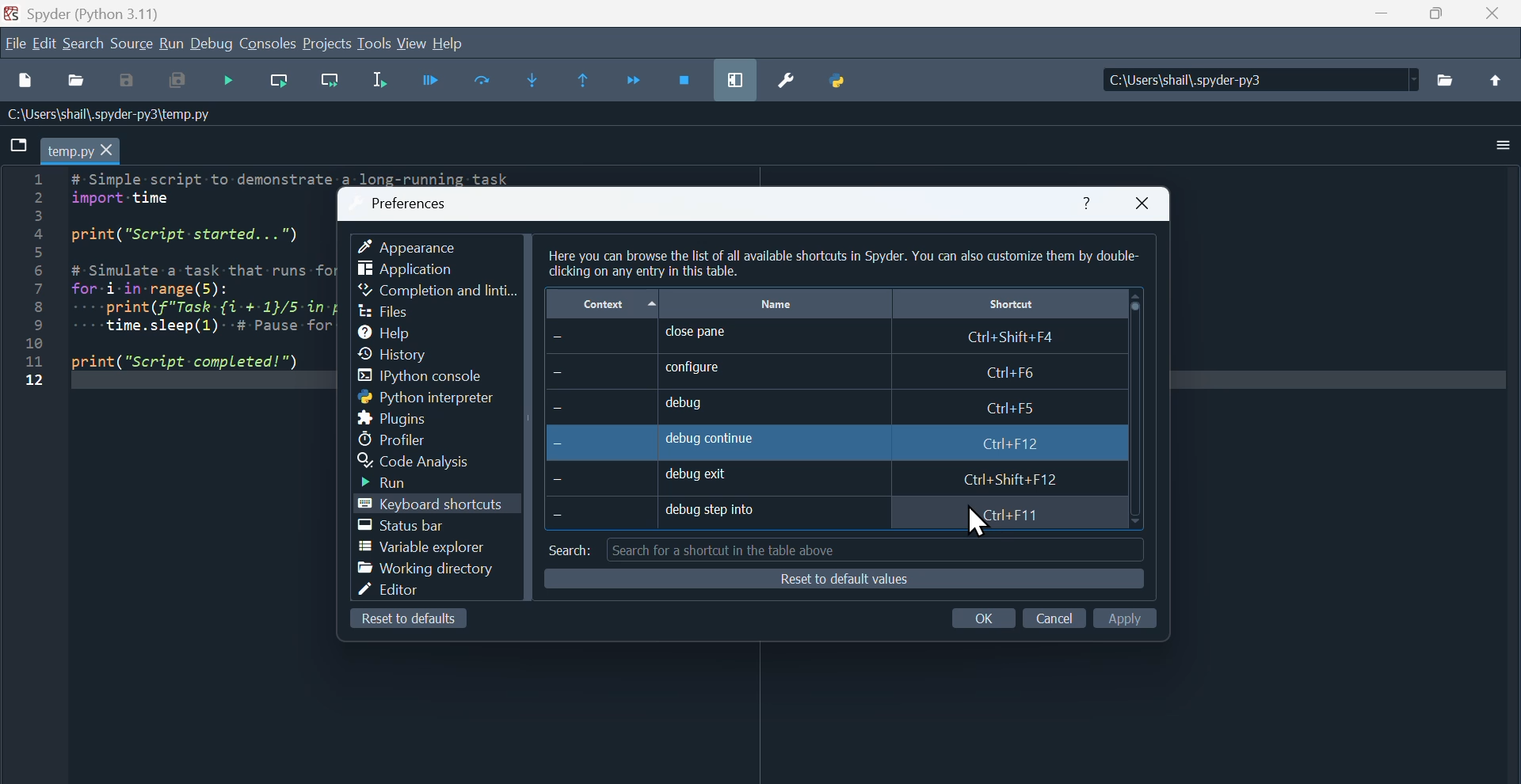 This screenshot has height=784, width=1521. What do you see at coordinates (387, 310) in the screenshot?
I see `Files` at bounding box center [387, 310].